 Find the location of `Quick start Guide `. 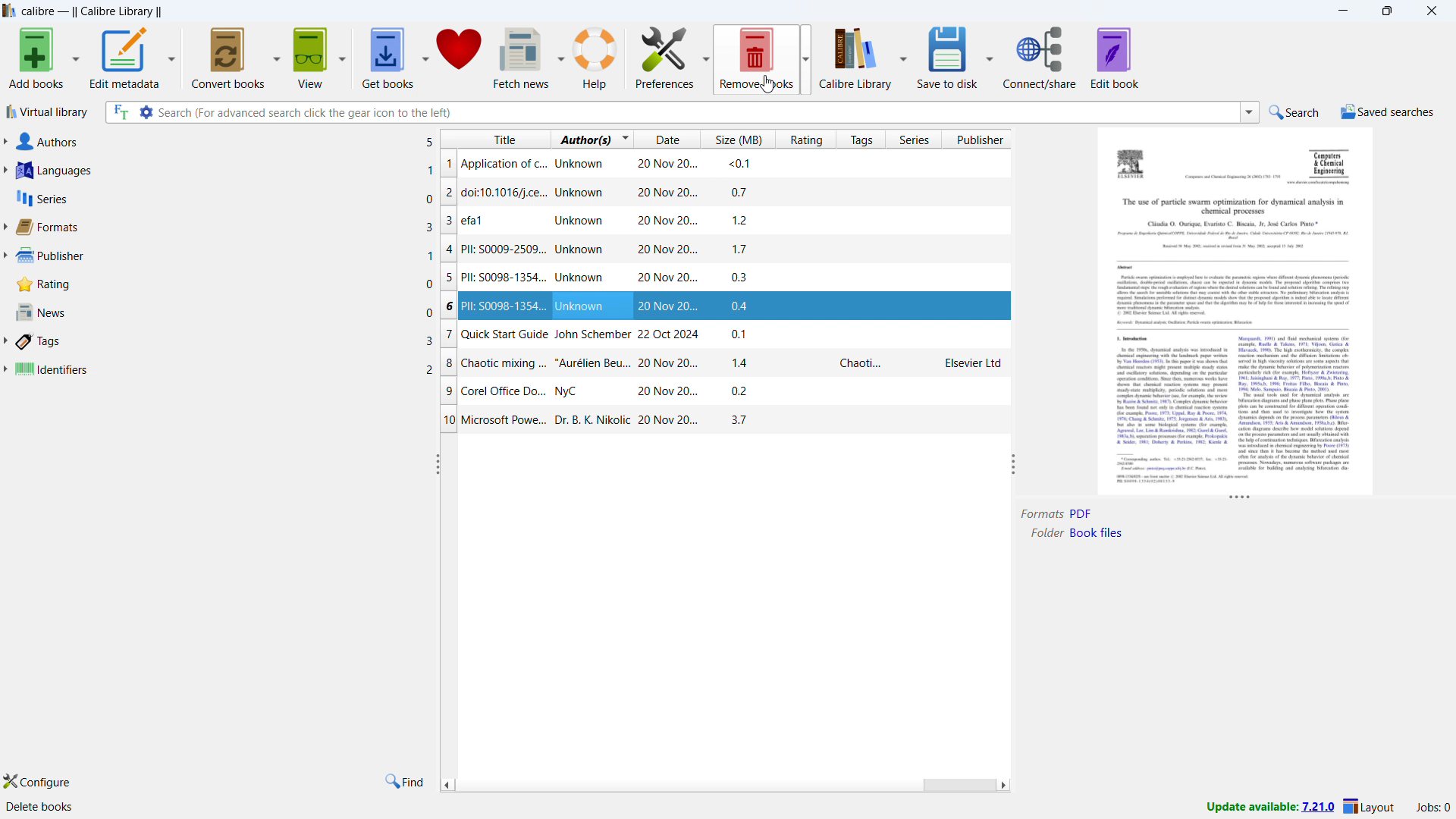

Quick start Guide  is located at coordinates (729, 334).